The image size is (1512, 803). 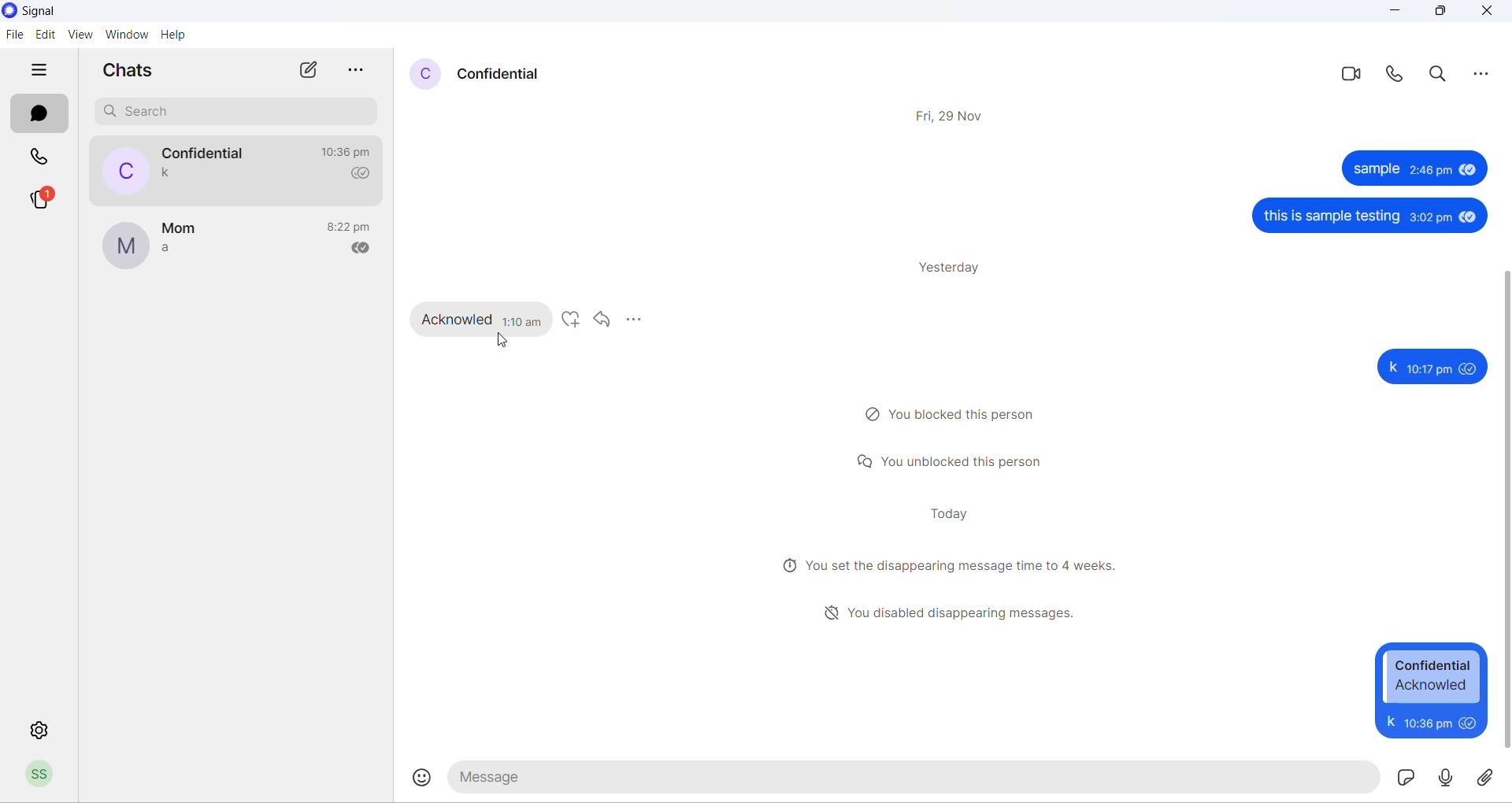 What do you see at coordinates (938, 609) in the screenshot?
I see `disappearing message notification` at bounding box center [938, 609].